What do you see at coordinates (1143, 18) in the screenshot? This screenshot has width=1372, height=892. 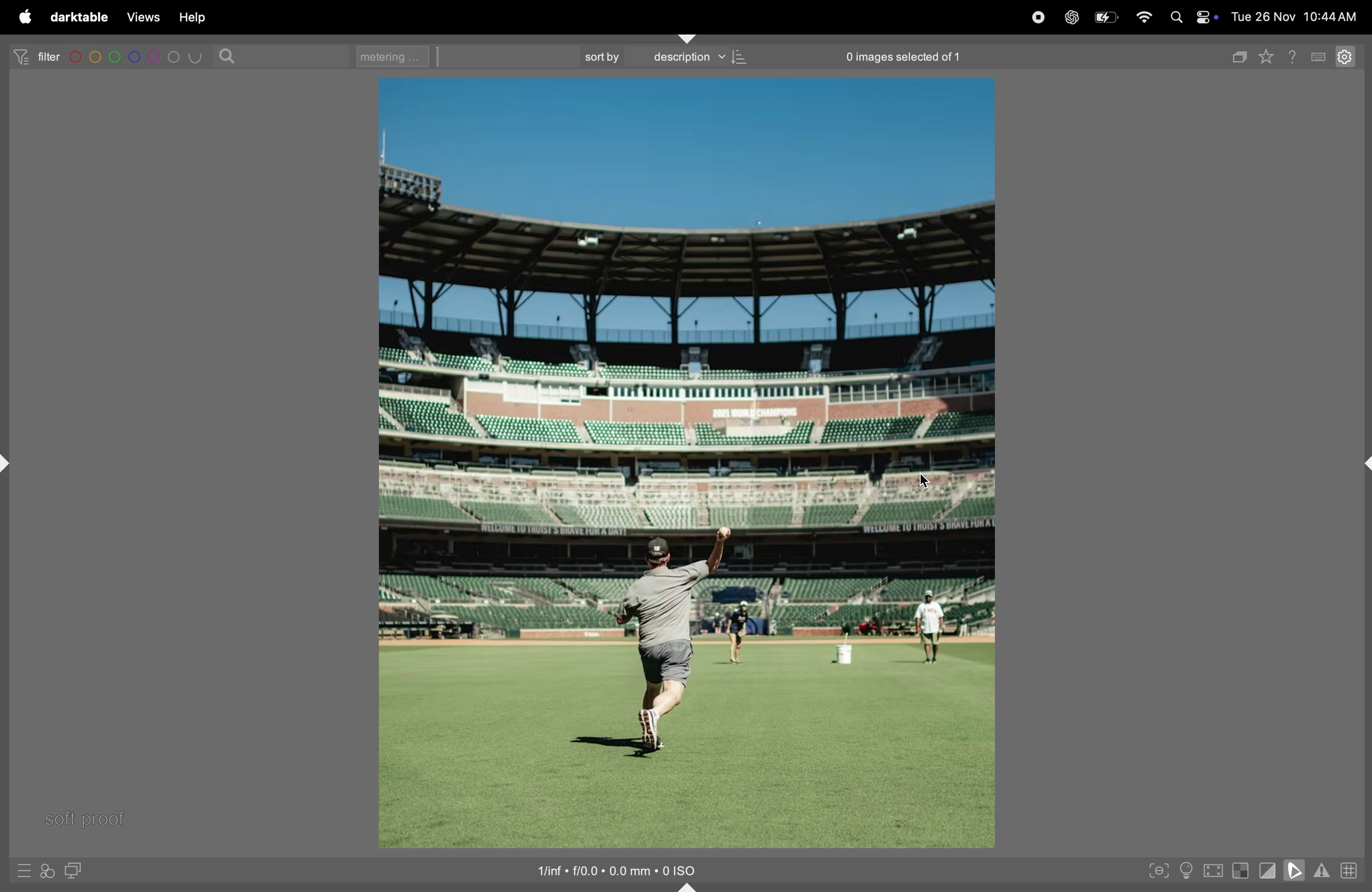 I see `wifi` at bounding box center [1143, 18].